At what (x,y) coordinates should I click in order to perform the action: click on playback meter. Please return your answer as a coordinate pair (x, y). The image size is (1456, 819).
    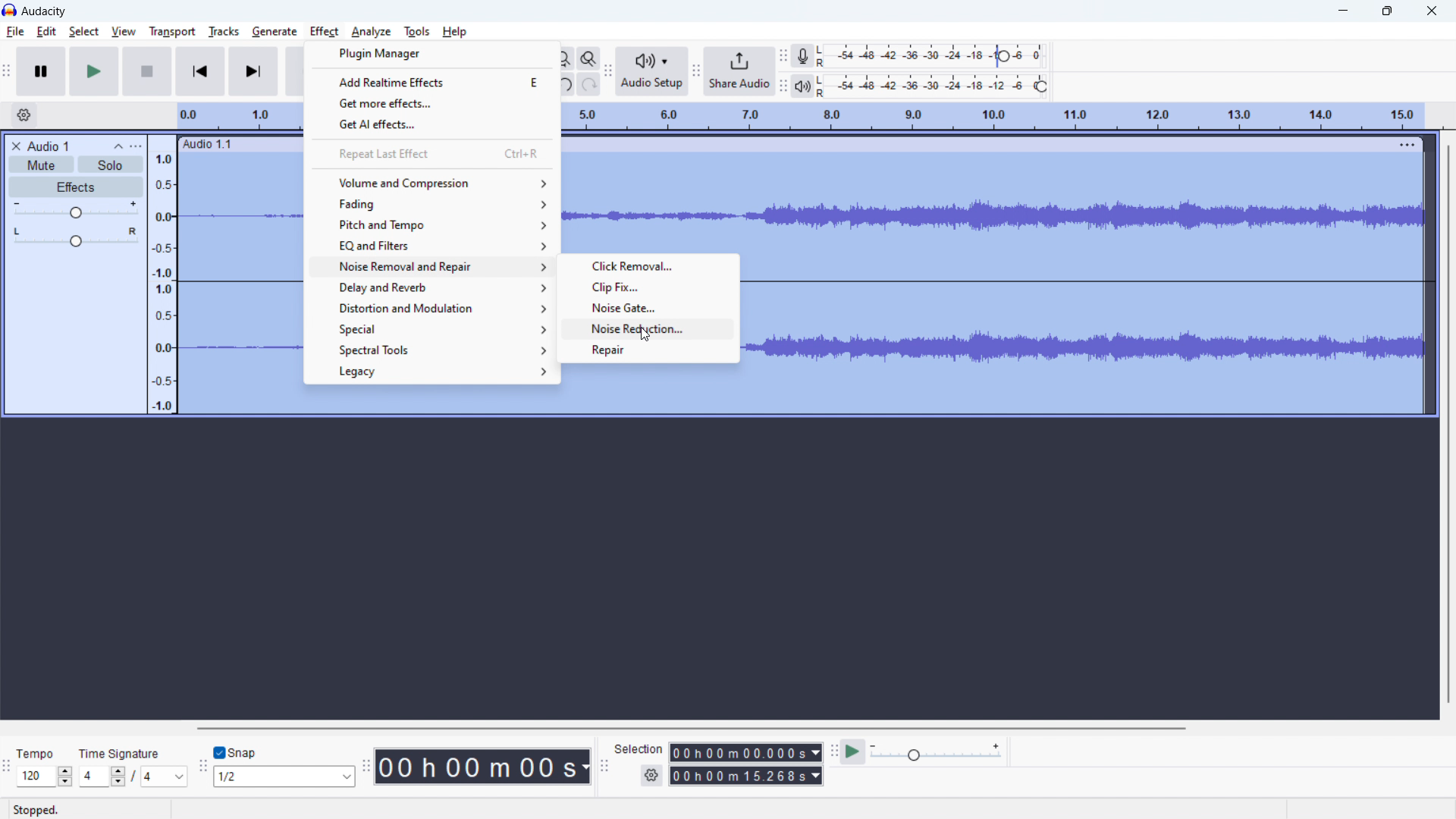
    Looking at the image, I should click on (802, 86).